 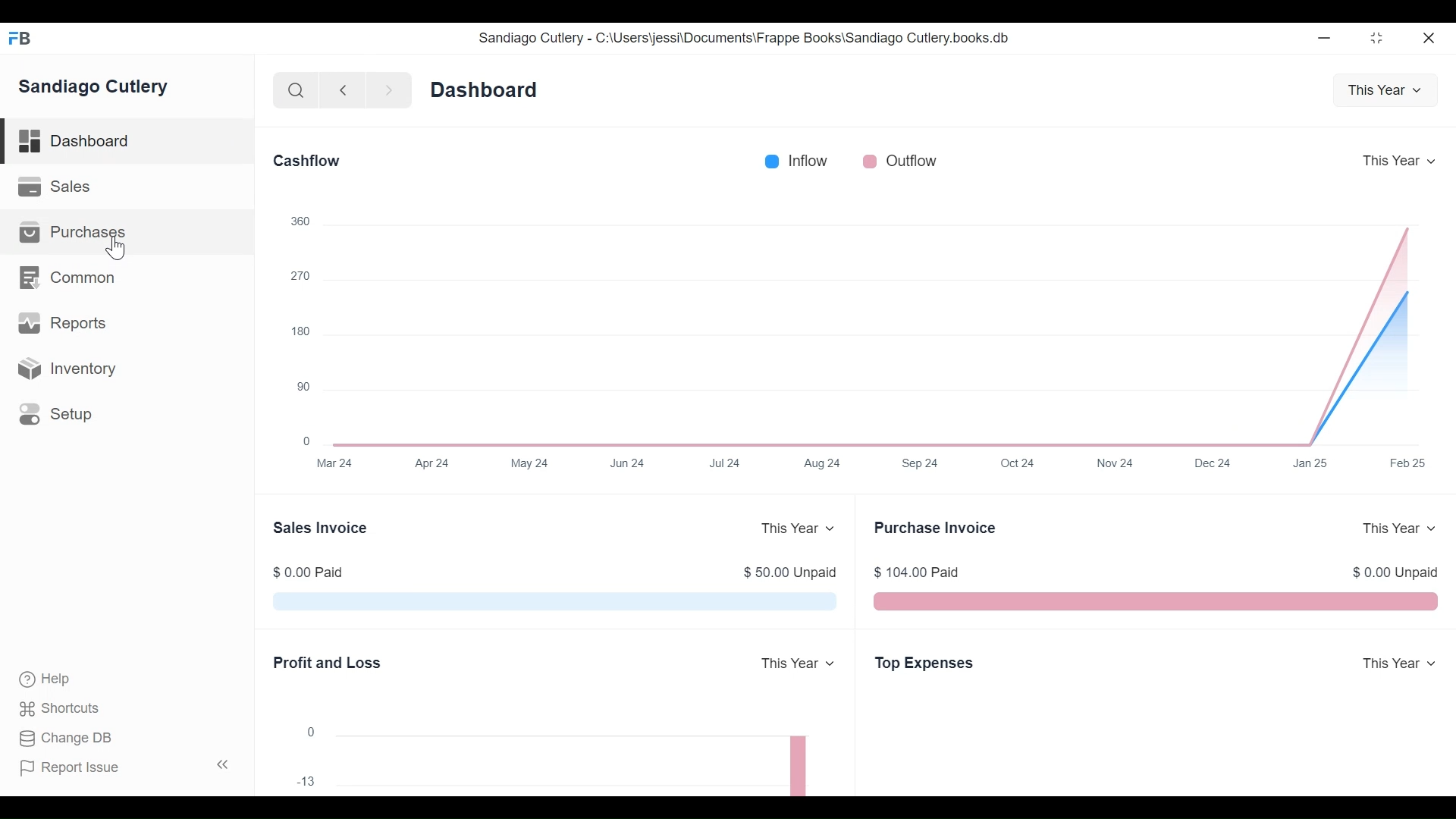 I want to click on Minimize, so click(x=1321, y=39).